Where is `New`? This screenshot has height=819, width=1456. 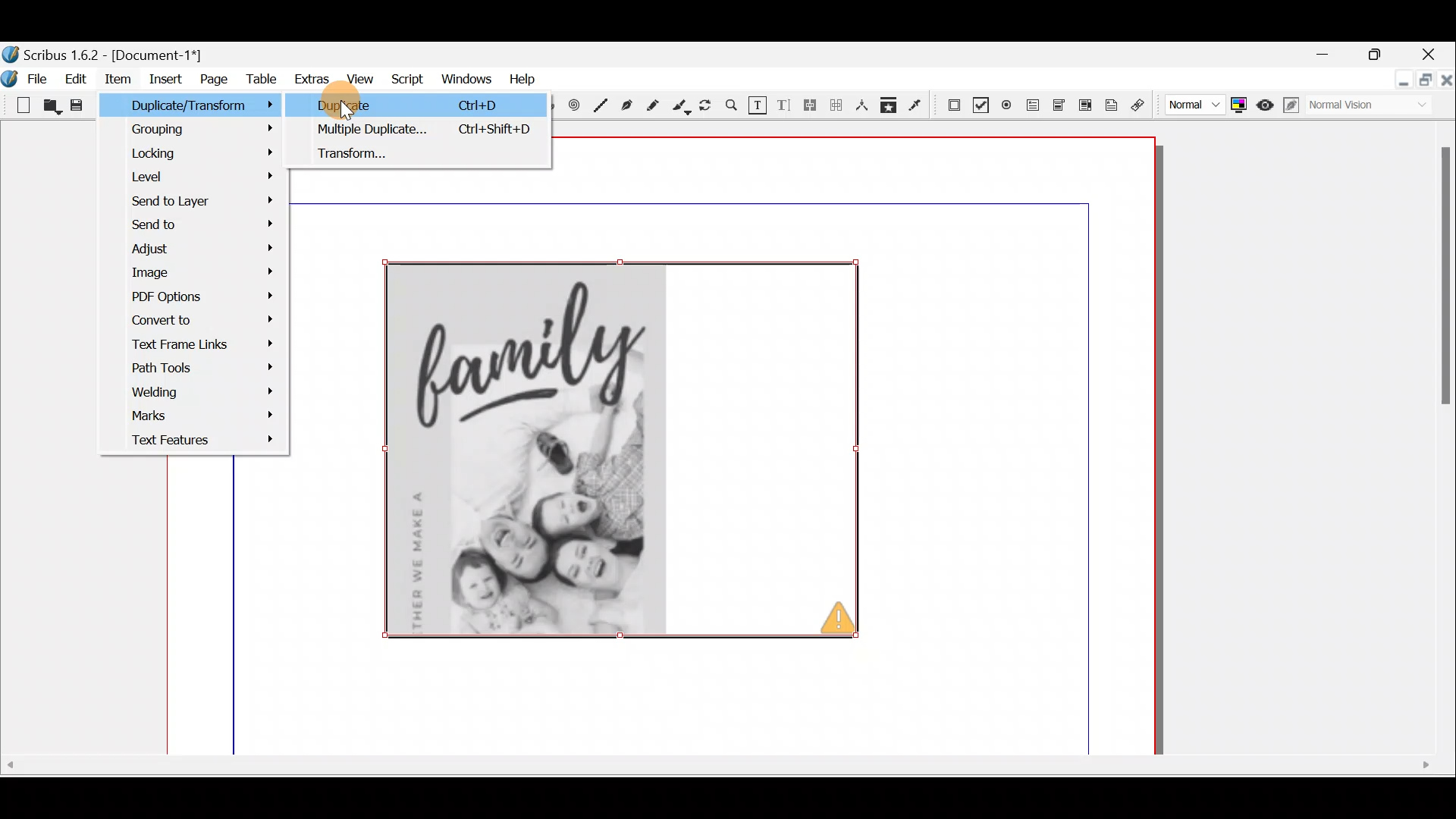 New is located at coordinates (17, 104).